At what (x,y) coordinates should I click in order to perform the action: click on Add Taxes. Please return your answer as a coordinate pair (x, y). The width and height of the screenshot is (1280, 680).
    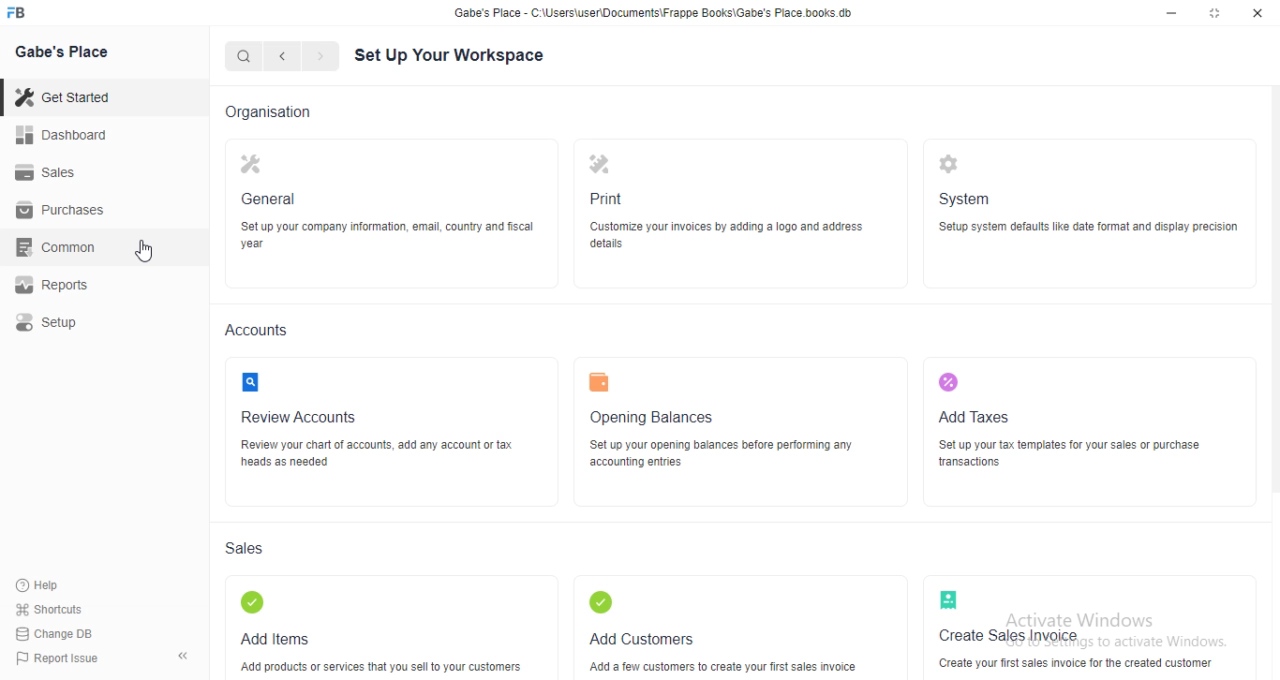
    Looking at the image, I should click on (979, 419).